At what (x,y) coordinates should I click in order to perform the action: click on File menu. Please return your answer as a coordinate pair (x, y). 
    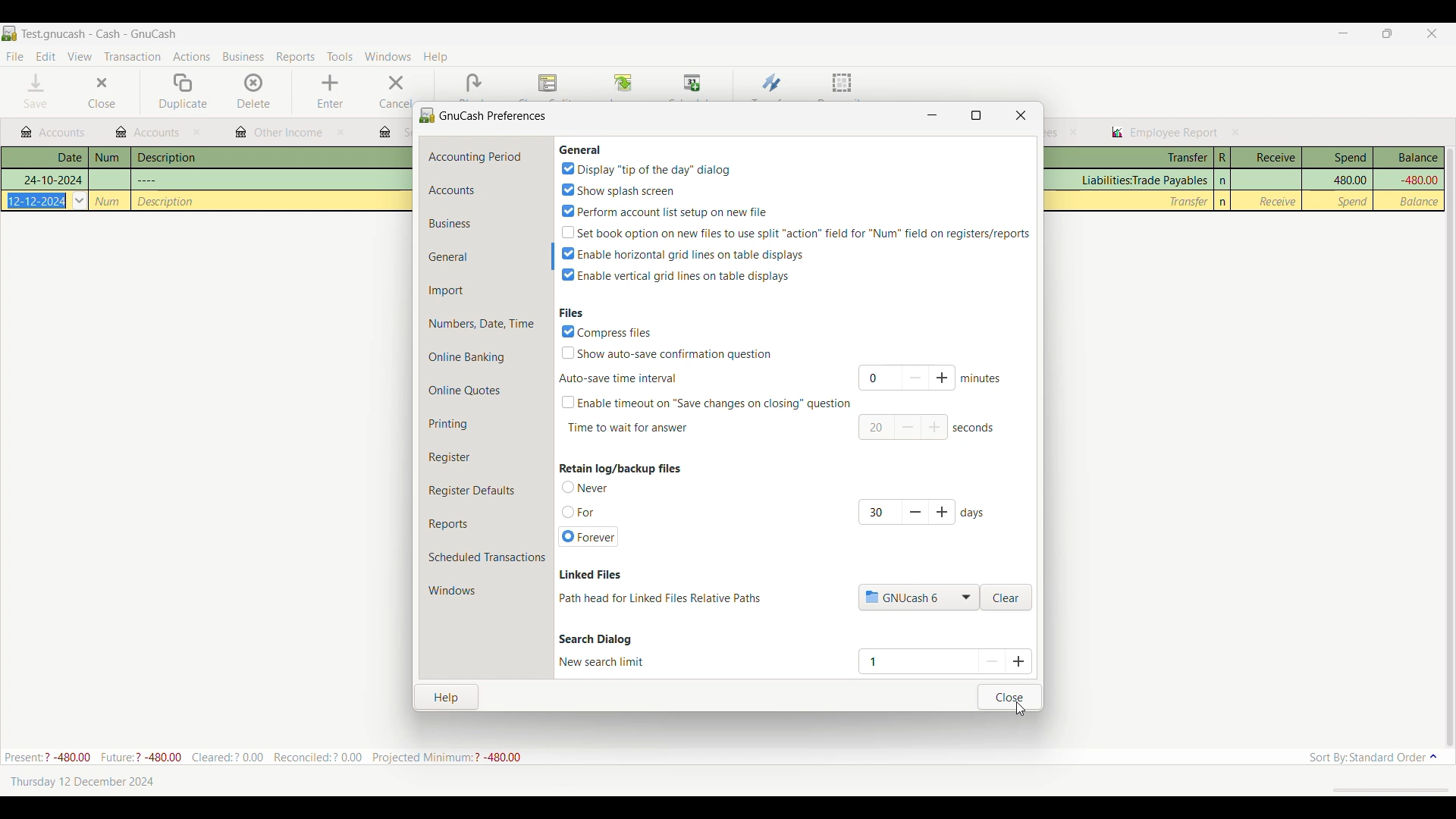
    Looking at the image, I should click on (14, 57).